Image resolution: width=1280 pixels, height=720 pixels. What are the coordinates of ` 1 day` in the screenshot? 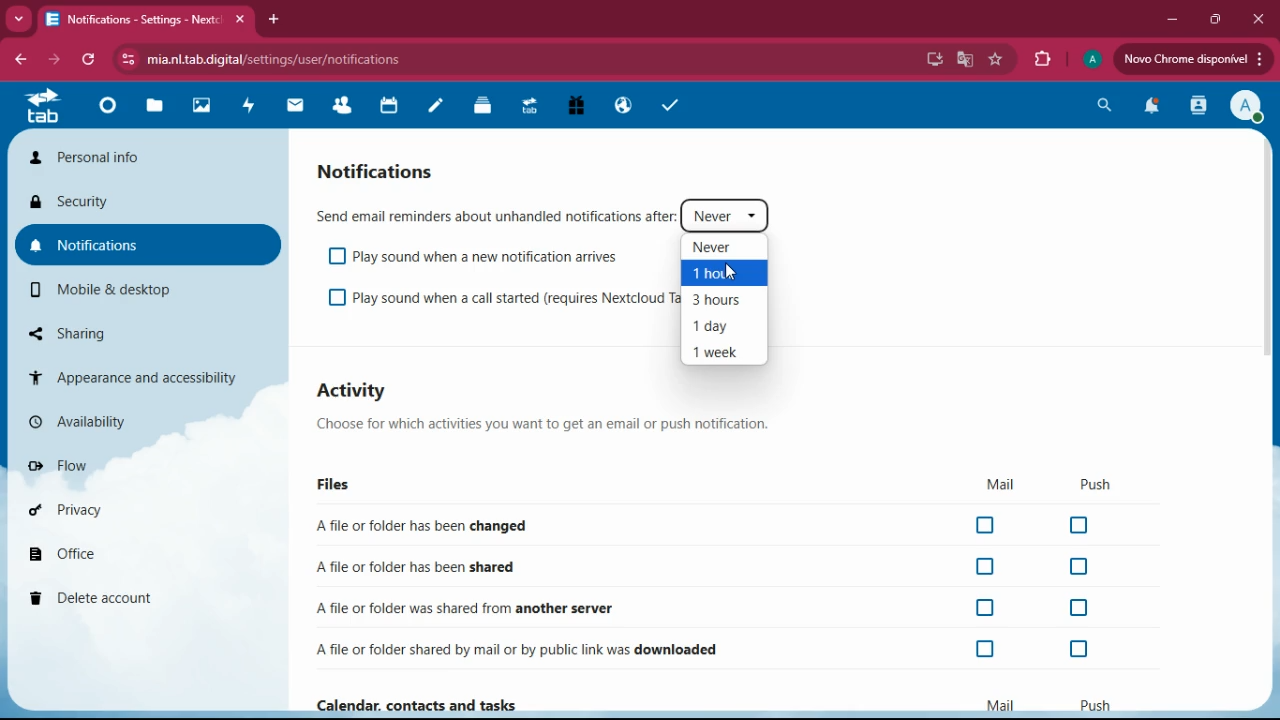 It's located at (720, 328).